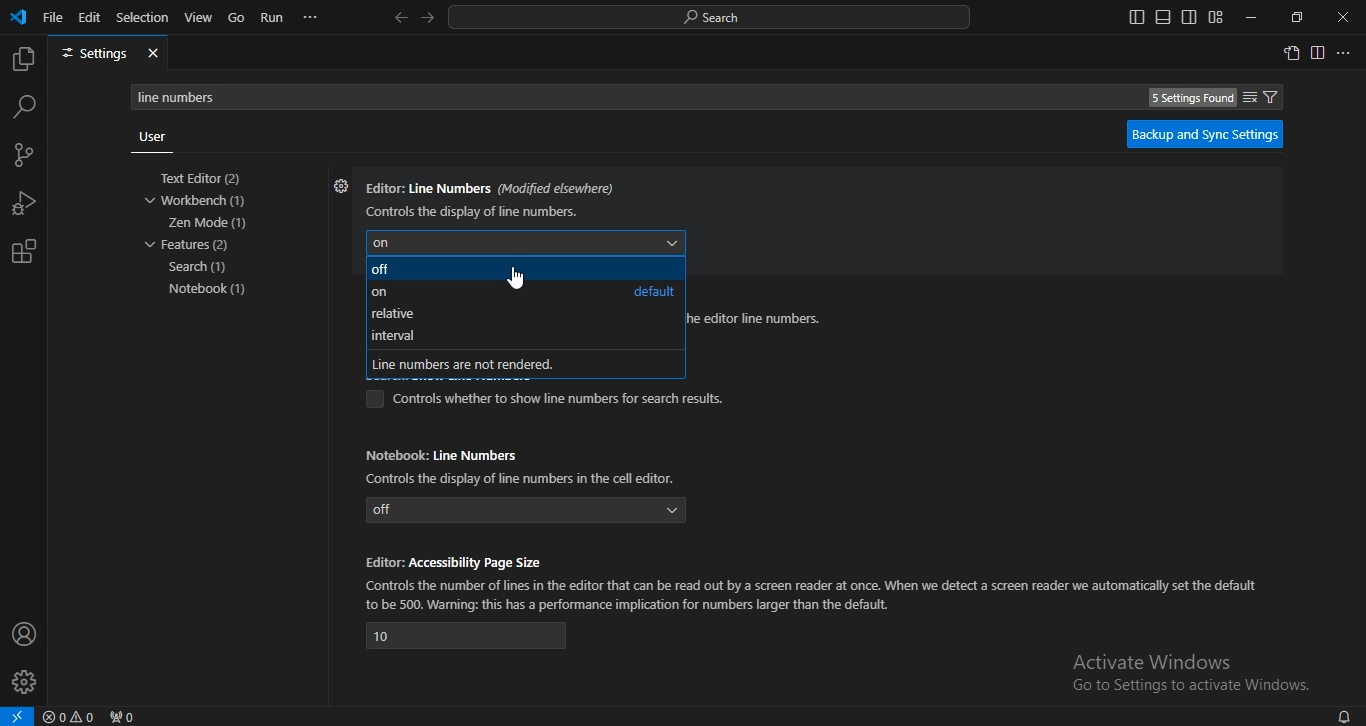 Image resolution: width=1366 pixels, height=726 pixels. Describe the element at coordinates (1189, 17) in the screenshot. I see `toggle secondary sidebar` at that location.